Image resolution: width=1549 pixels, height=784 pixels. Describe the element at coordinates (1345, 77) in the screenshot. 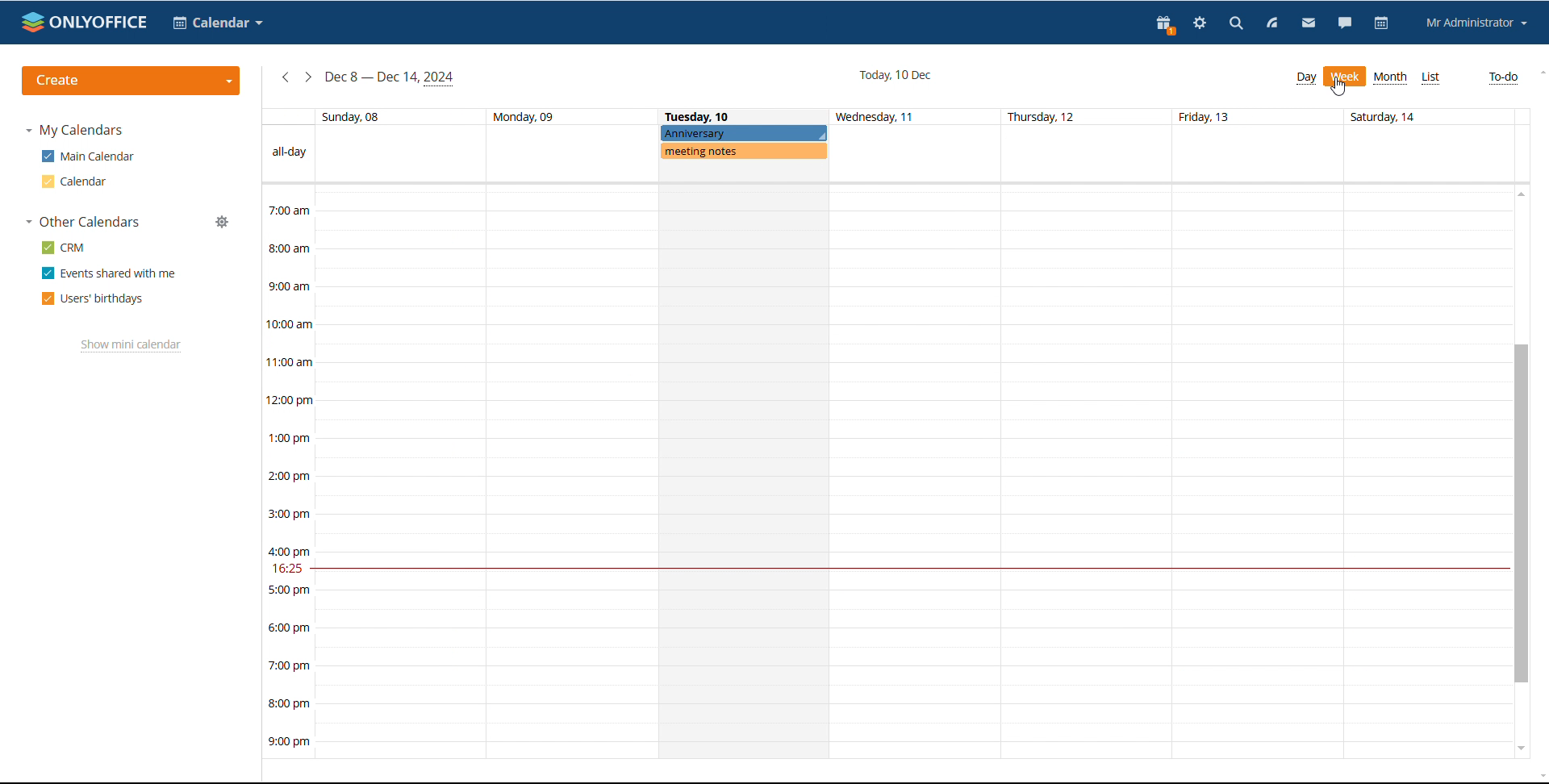

I see `week view selected` at that location.